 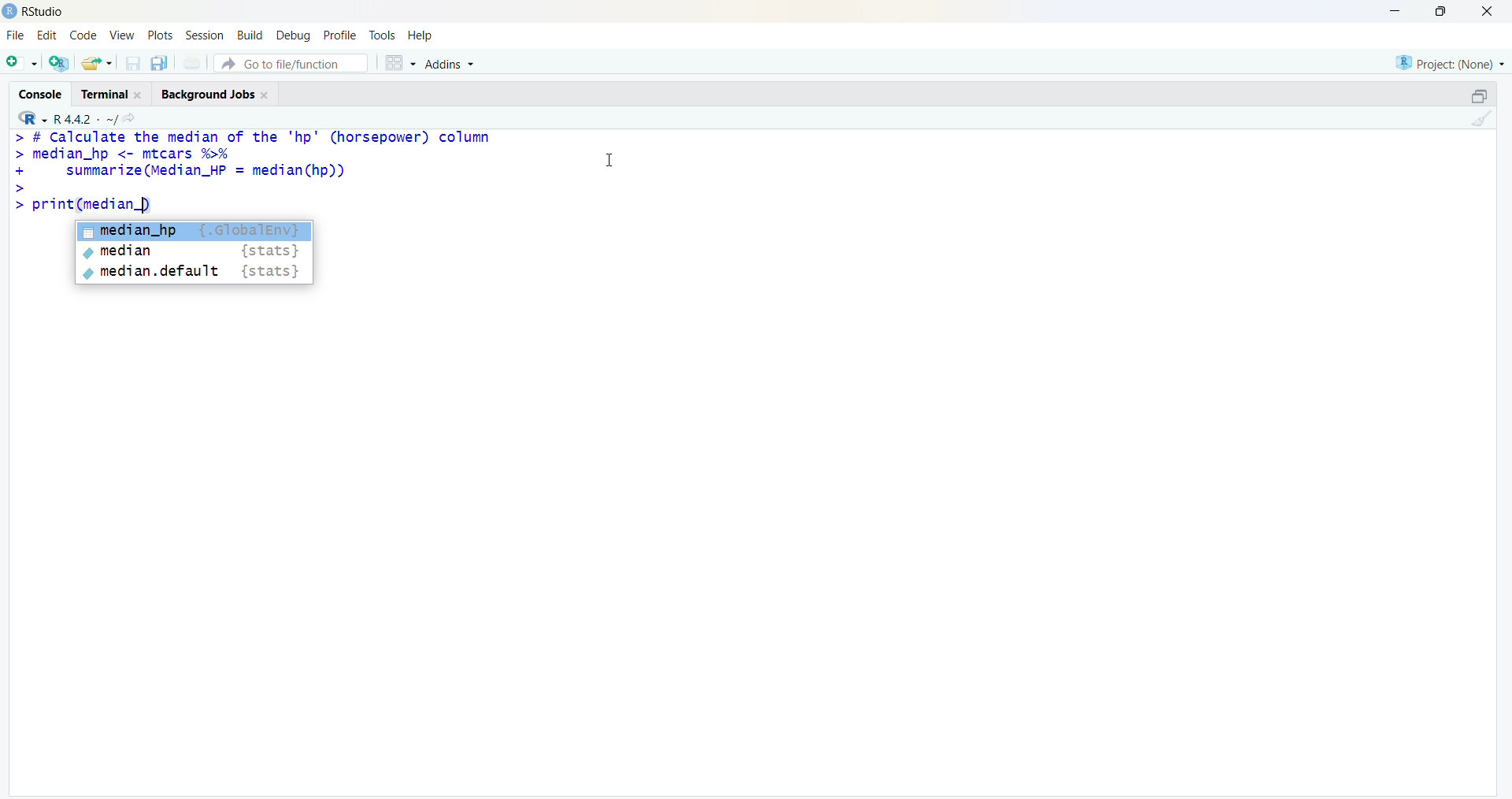 What do you see at coordinates (206, 95) in the screenshot?
I see `Background jobs` at bounding box center [206, 95].